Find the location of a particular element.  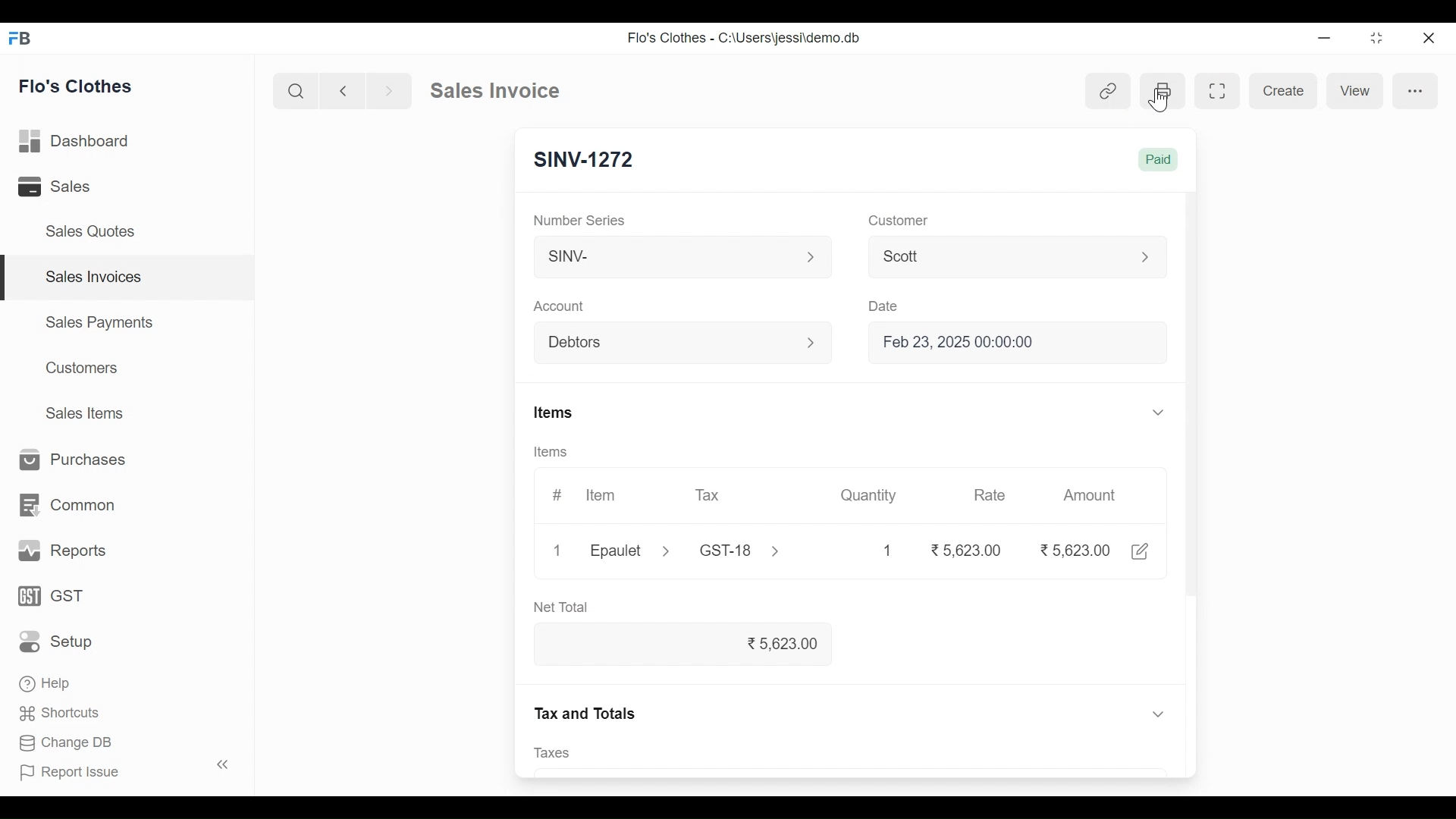

Tax and Totals is located at coordinates (591, 714).